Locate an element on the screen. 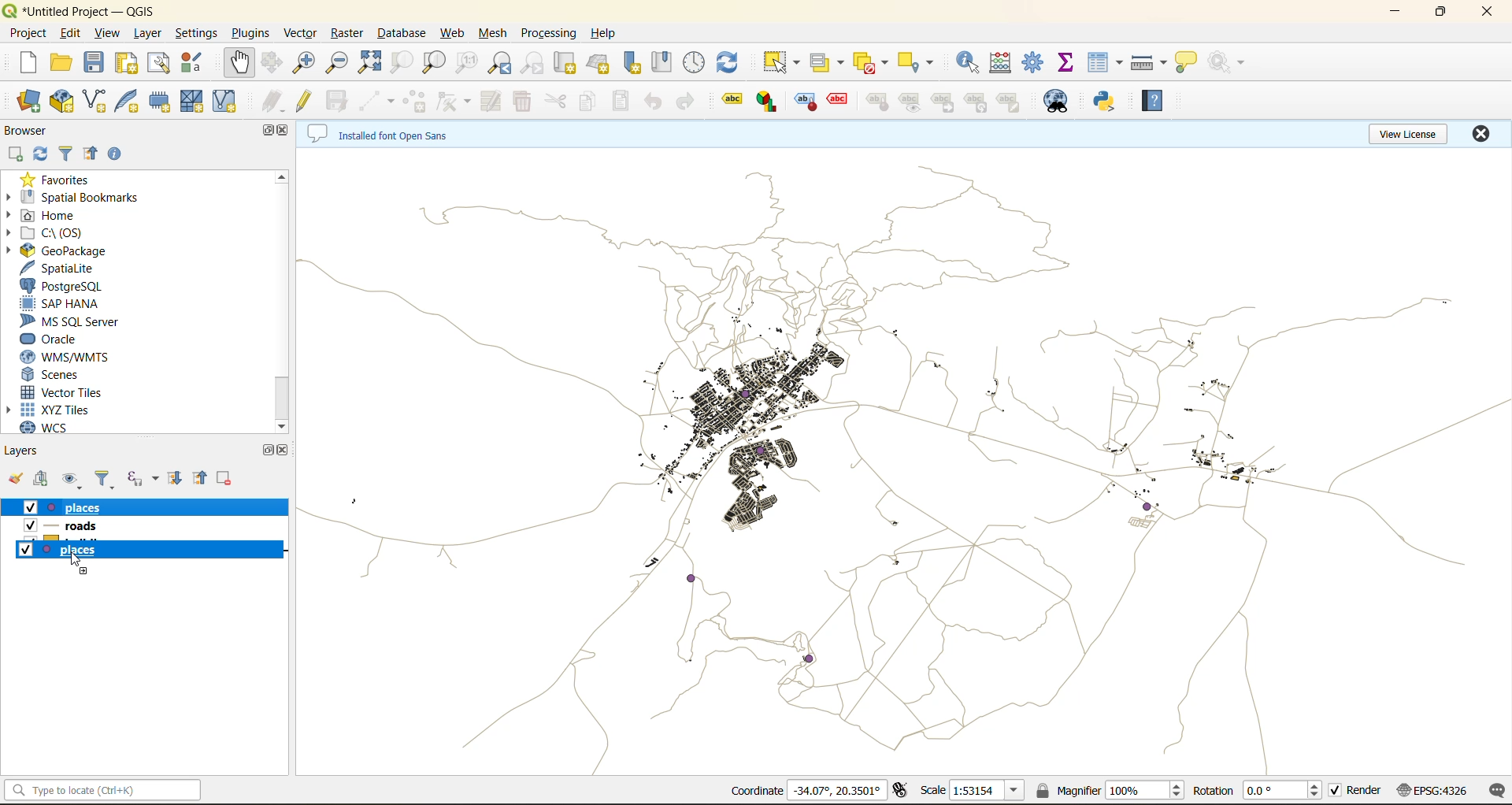 The height and width of the screenshot is (805, 1512). change label properties is located at coordinates (1012, 103).